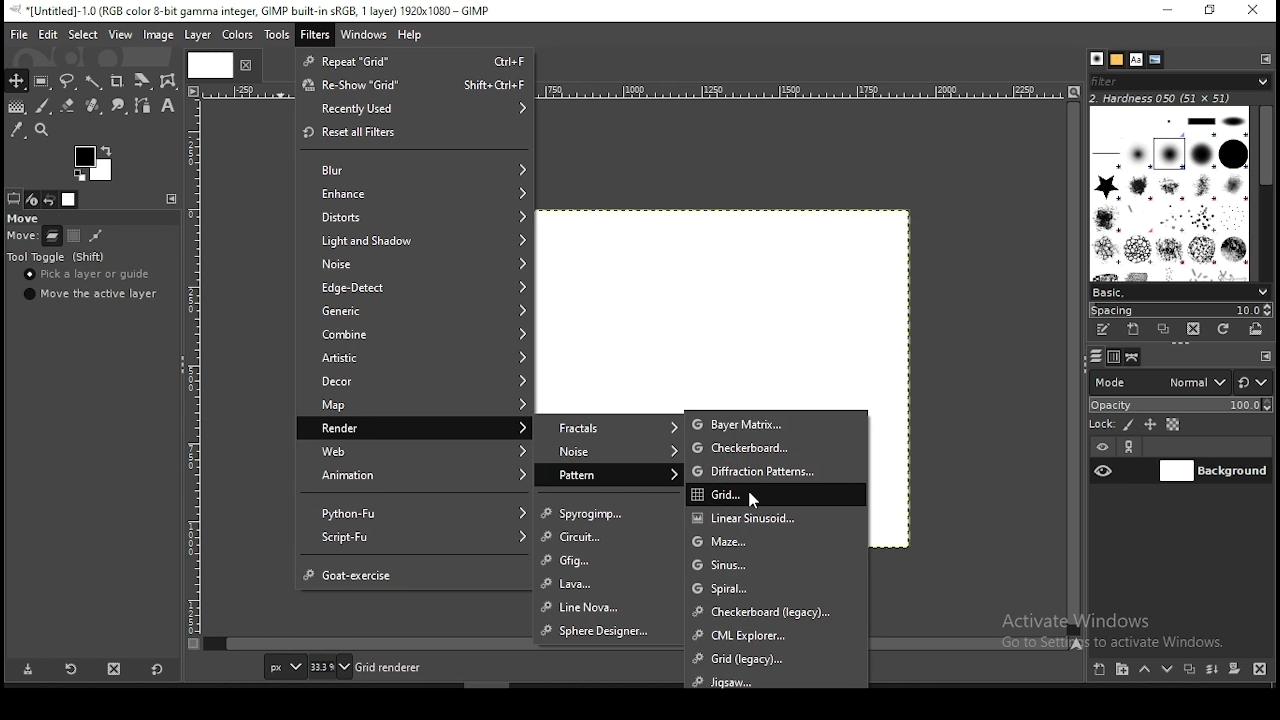 The image size is (1280, 720). What do you see at coordinates (148, 104) in the screenshot?
I see `paths tool` at bounding box center [148, 104].